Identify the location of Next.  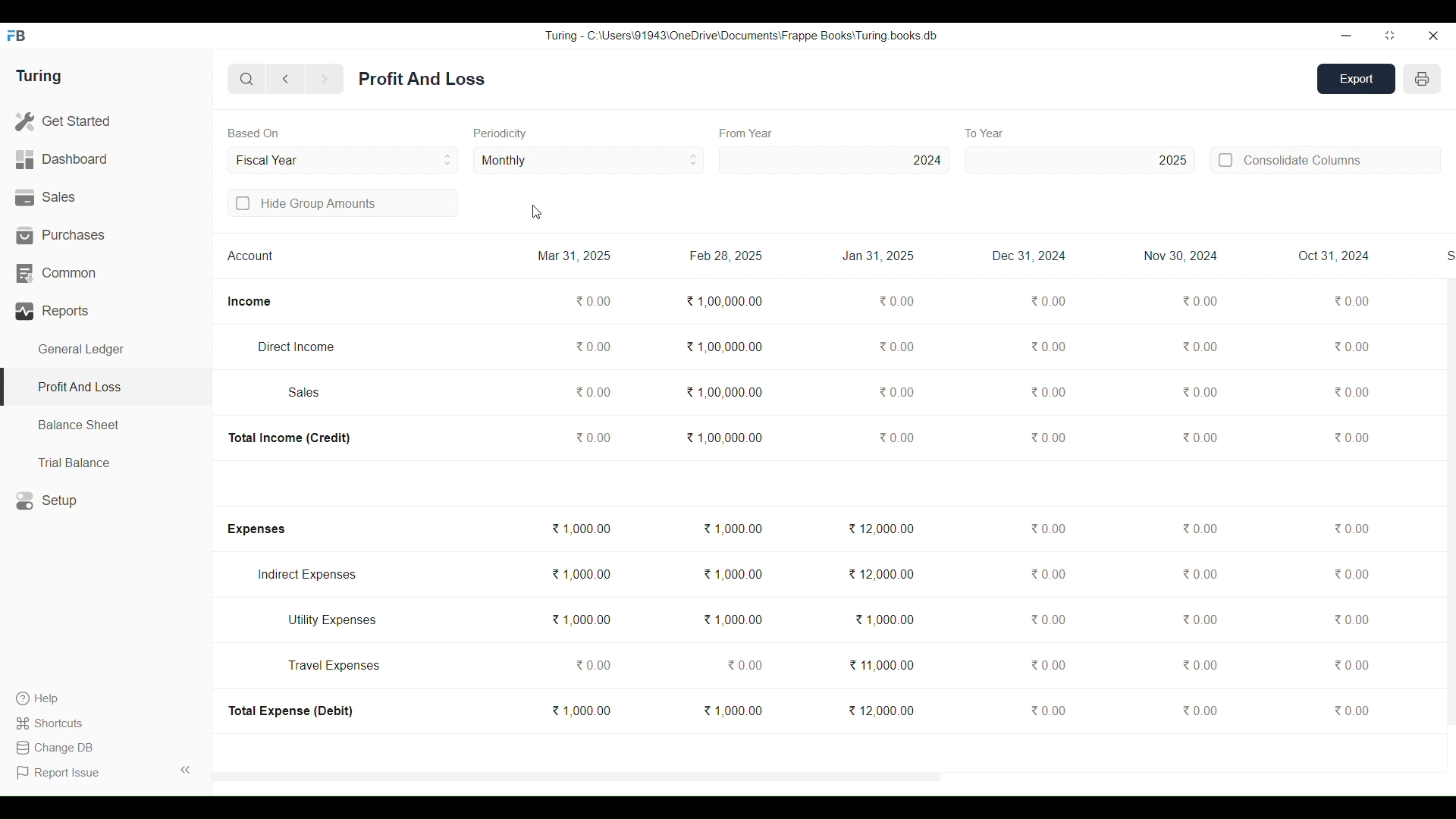
(325, 80).